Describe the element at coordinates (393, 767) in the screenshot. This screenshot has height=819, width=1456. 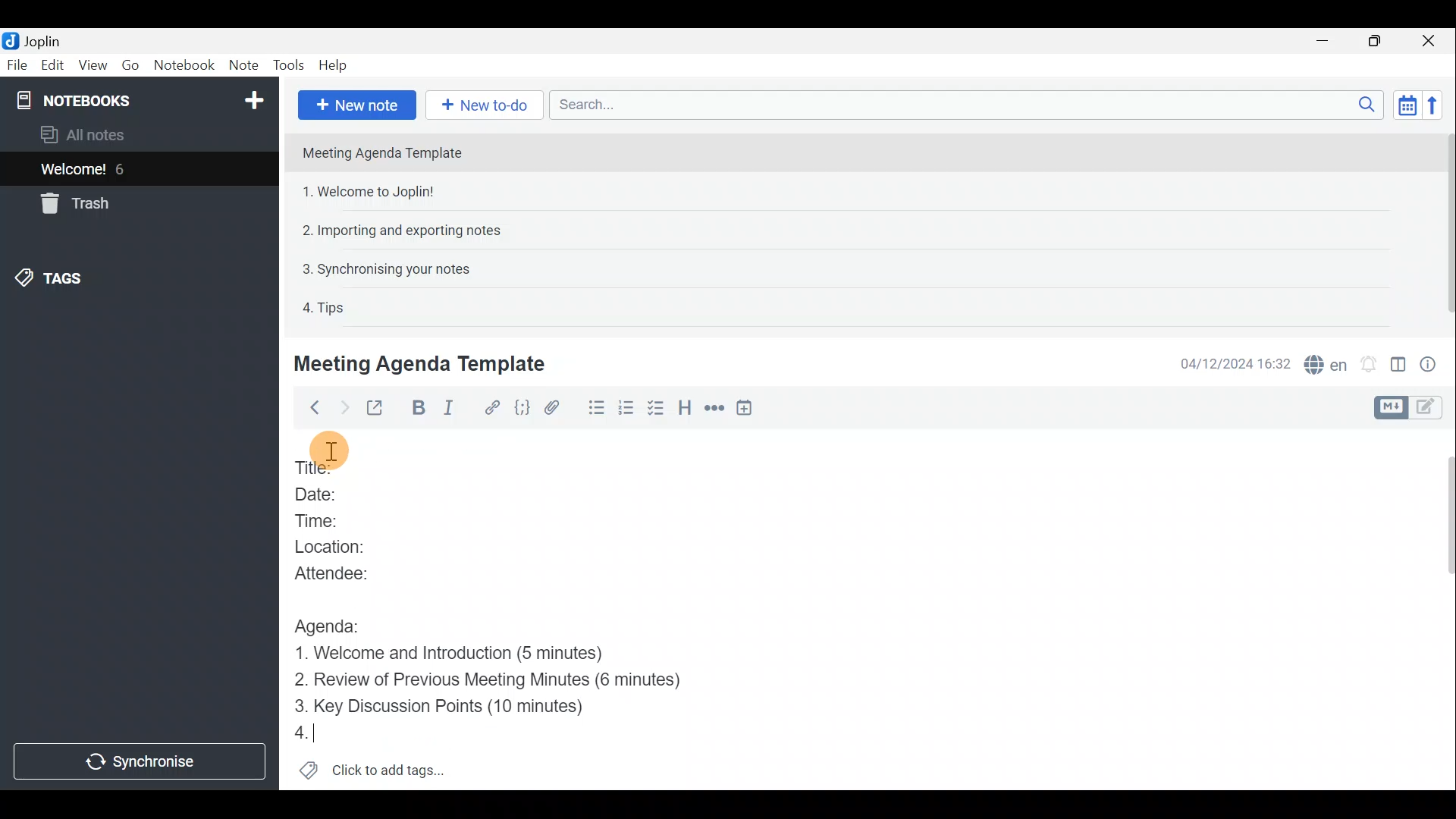
I see `Click to add tags` at that location.